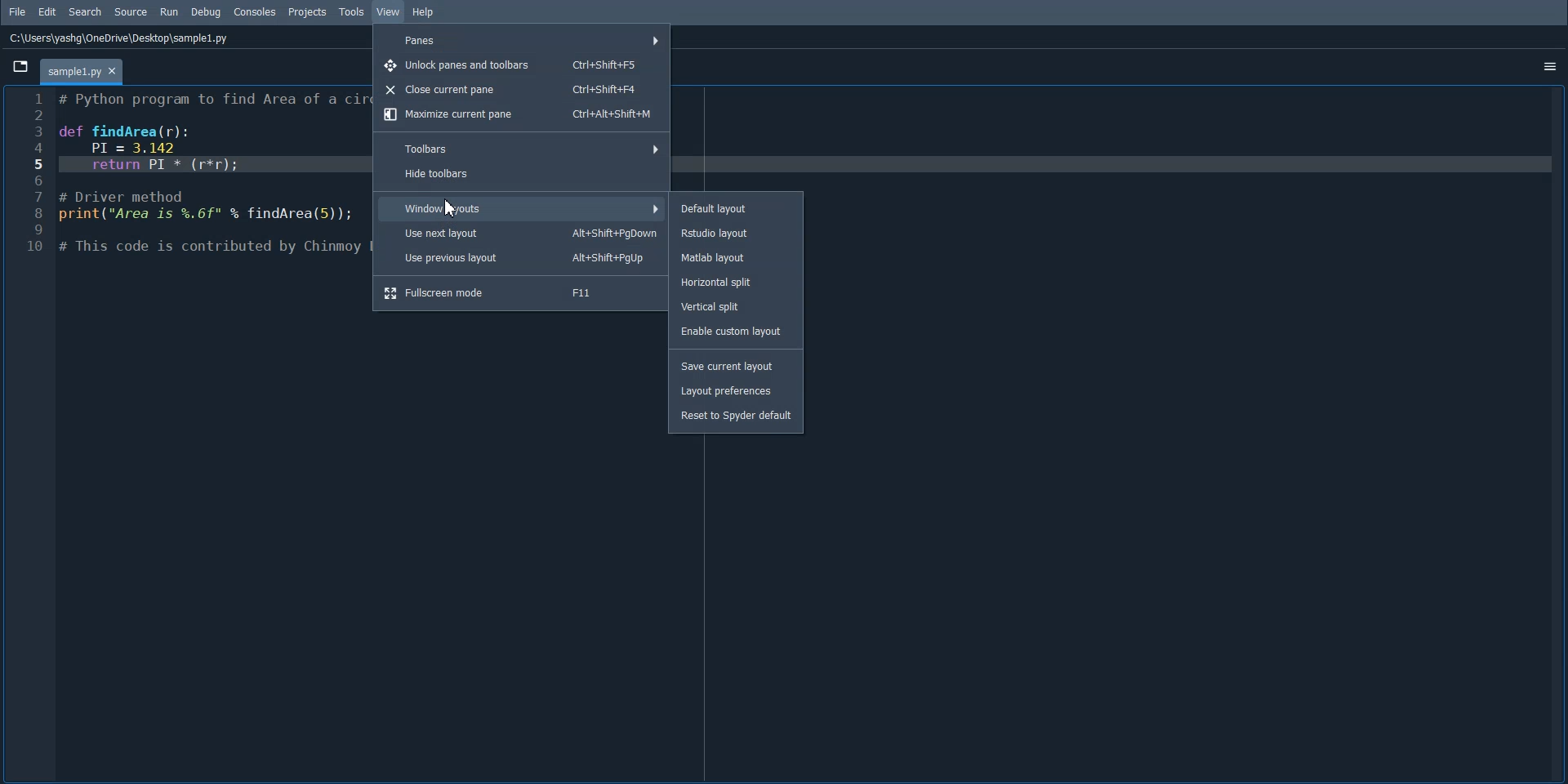  What do you see at coordinates (131, 11) in the screenshot?
I see `Source` at bounding box center [131, 11].